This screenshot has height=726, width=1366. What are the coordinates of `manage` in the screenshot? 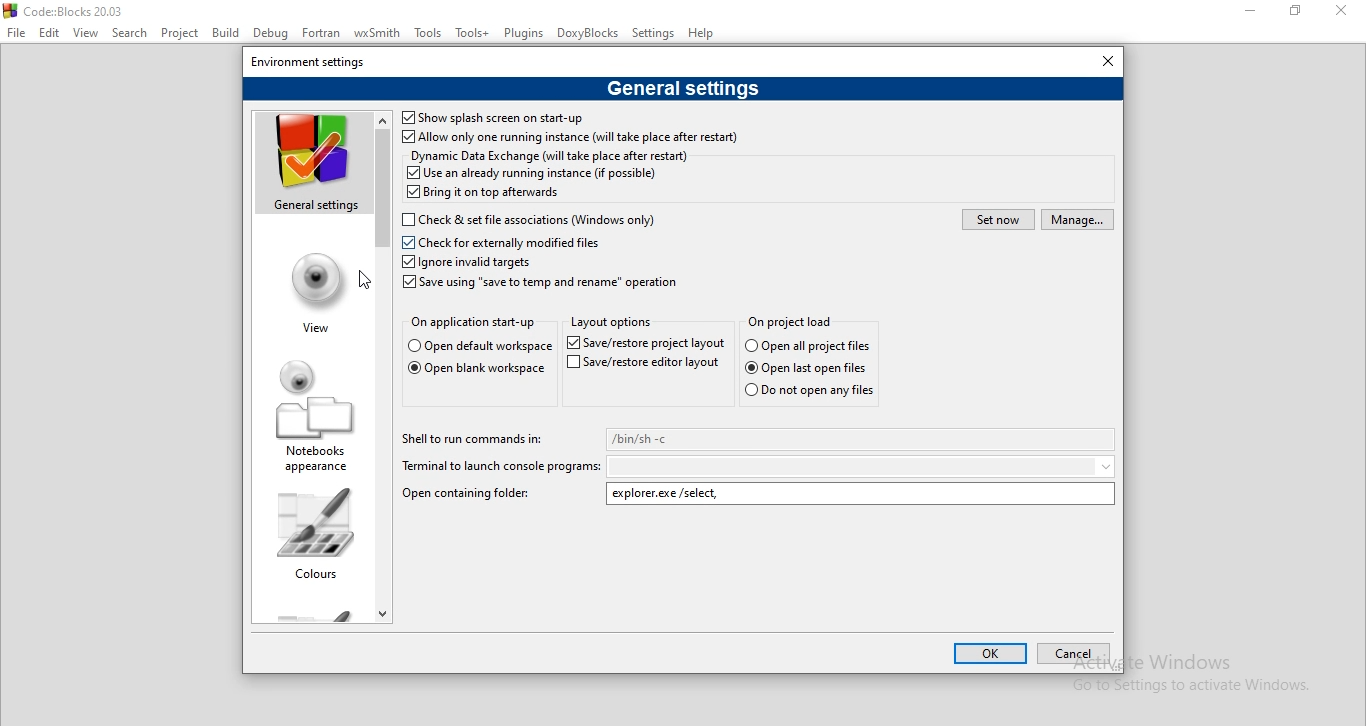 It's located at (1077, 221).